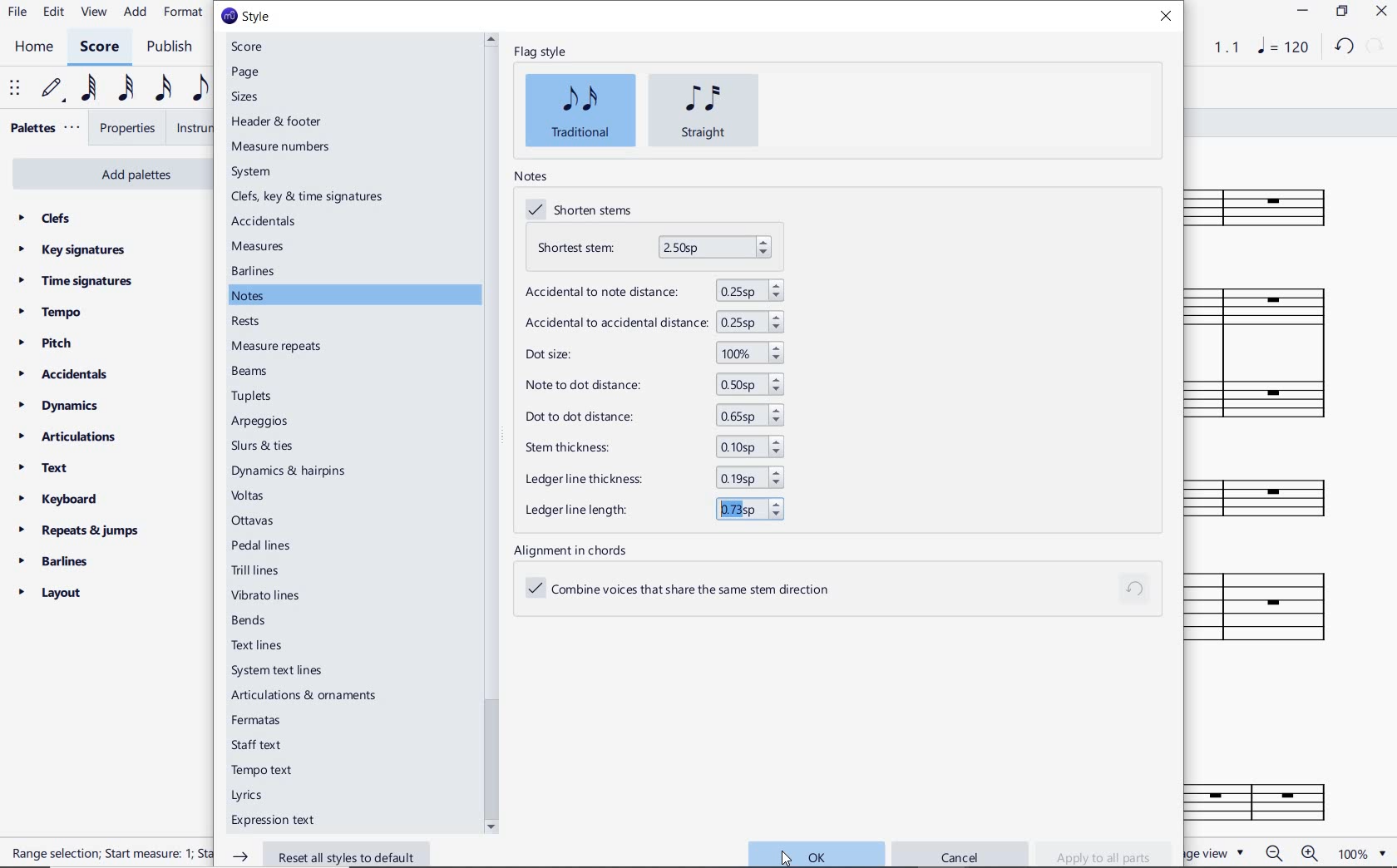 This screenshot has width=1397, height=868. I want to click on ledger line thickness increased, so click(648, 479).